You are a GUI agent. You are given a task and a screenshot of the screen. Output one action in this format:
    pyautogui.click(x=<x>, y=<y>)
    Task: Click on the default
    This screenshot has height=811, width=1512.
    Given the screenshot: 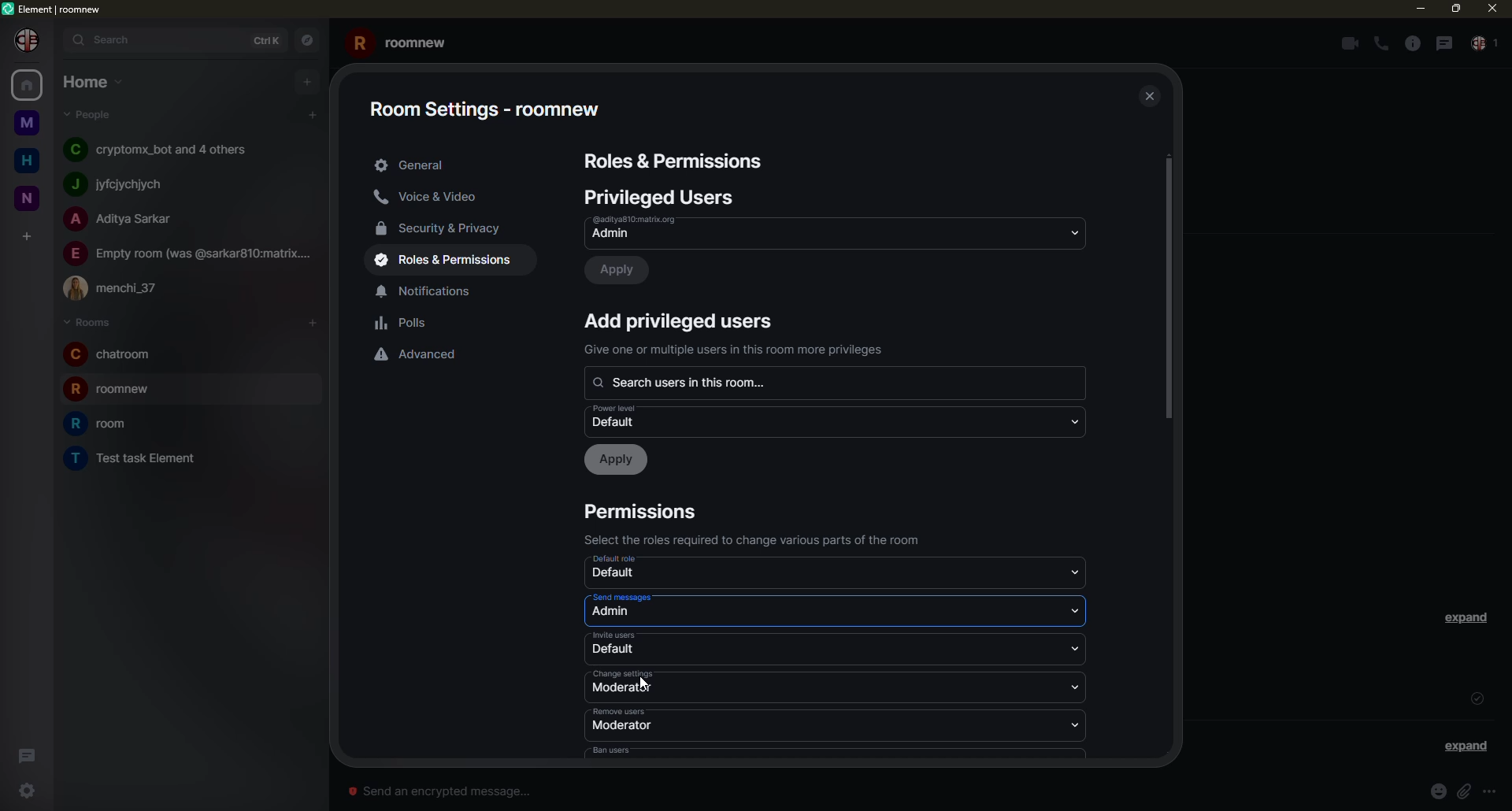 What is the action you would take?
    pyautogui.click(x=622, y=417)
    